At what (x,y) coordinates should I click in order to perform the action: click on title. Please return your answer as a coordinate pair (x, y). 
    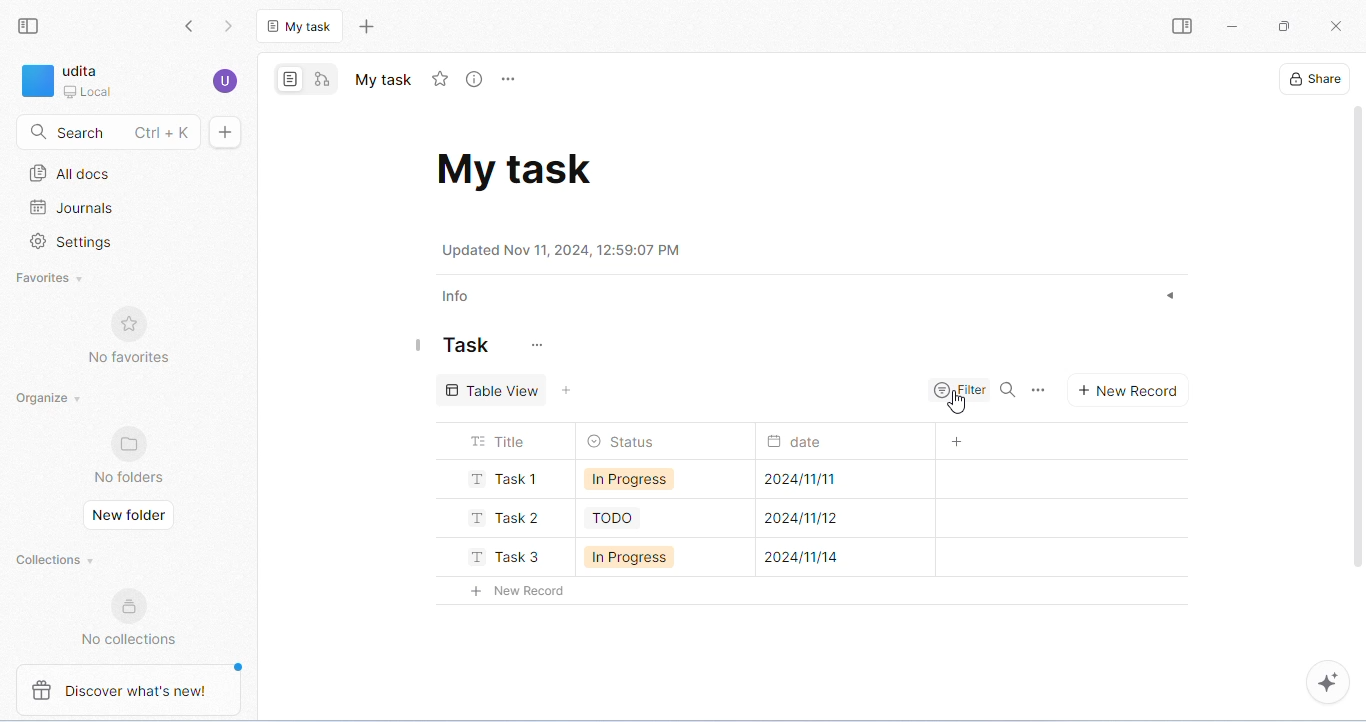
    Looking at the image, I should click on (499, 440).